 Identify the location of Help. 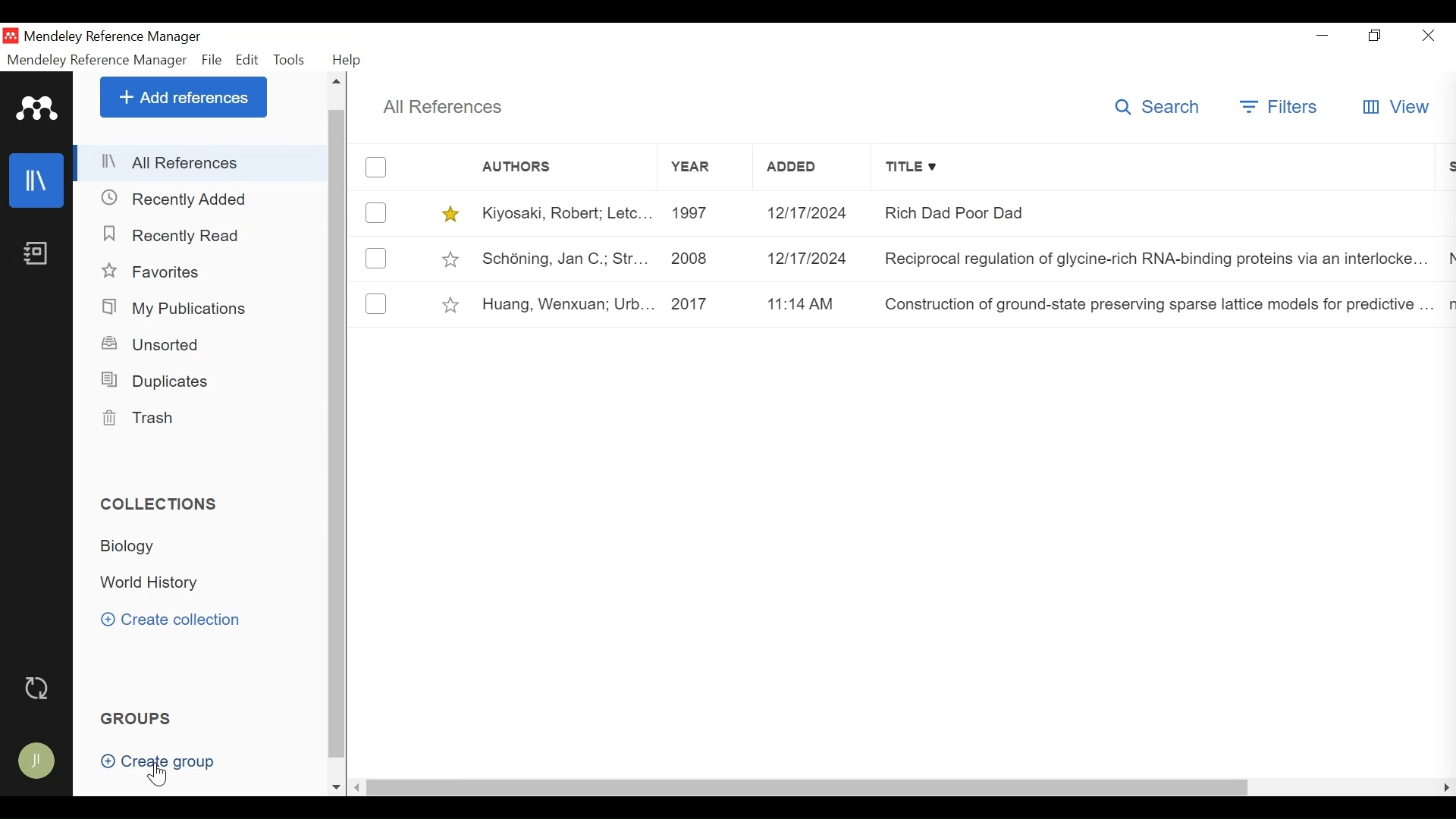
(349, 60).